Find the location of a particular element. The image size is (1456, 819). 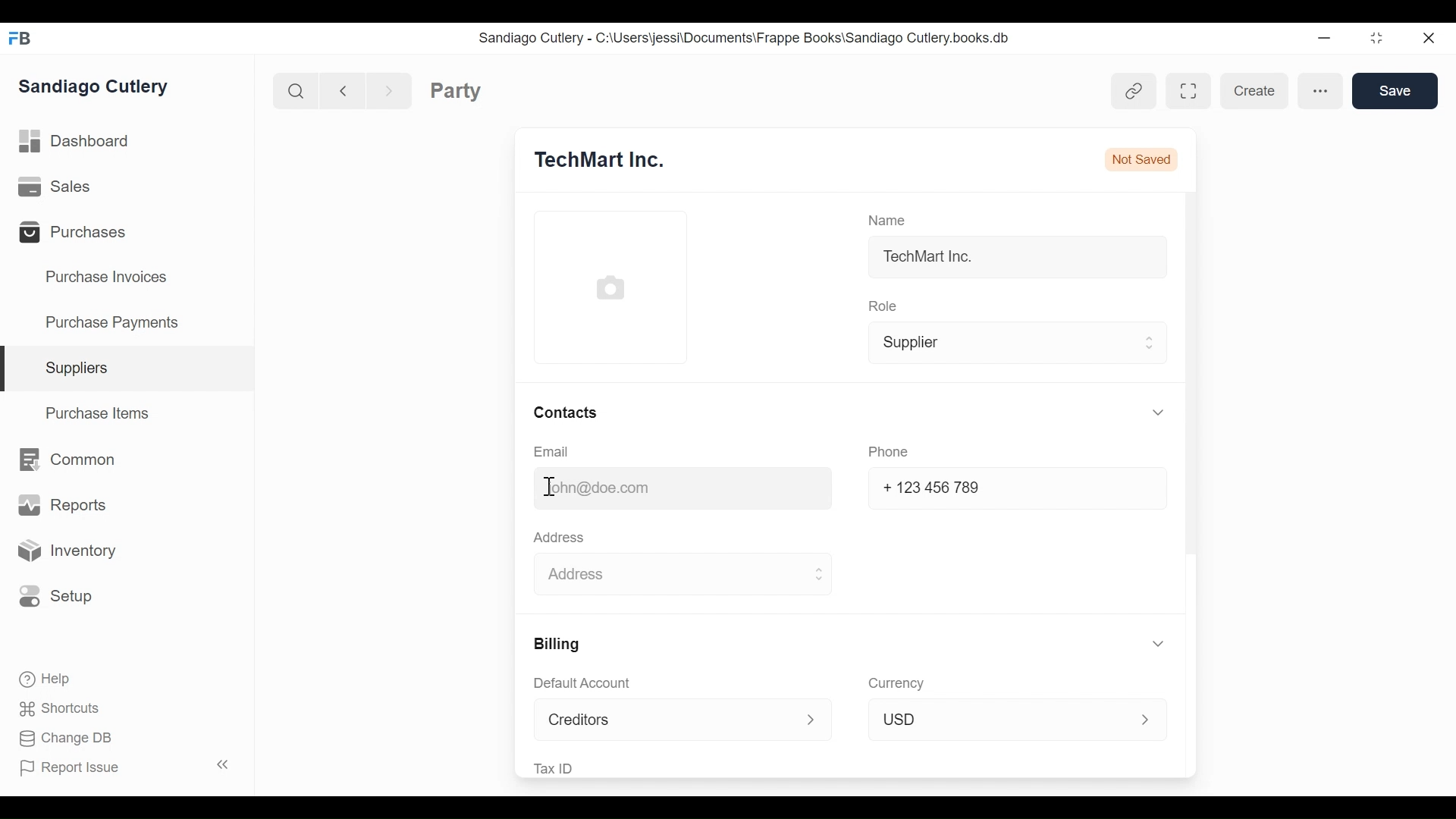

Supplier is located at coordinates (1013, 344).